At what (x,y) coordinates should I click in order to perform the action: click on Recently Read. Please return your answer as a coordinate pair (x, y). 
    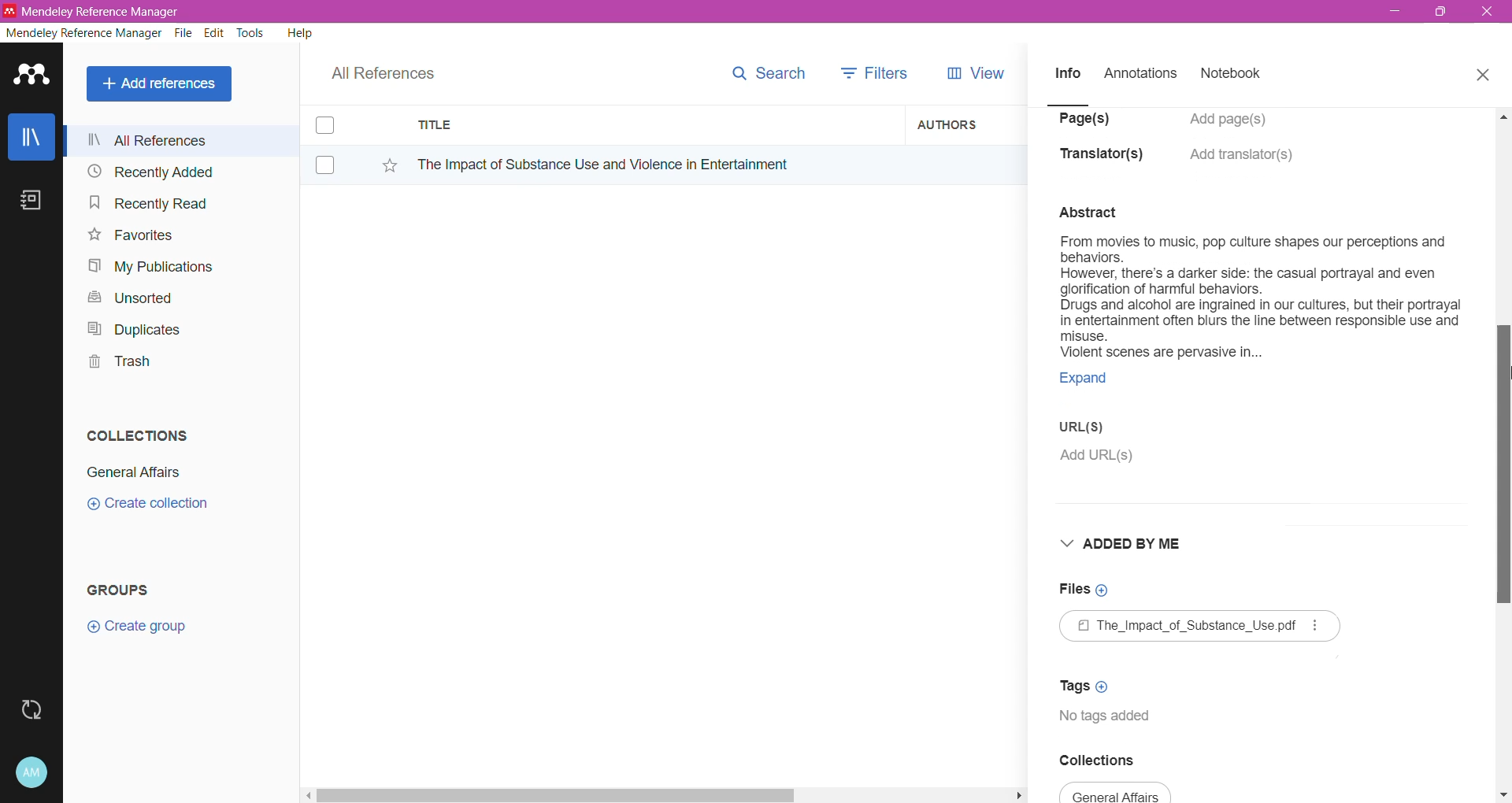
    Looking at the image, I should click on (148, 202).